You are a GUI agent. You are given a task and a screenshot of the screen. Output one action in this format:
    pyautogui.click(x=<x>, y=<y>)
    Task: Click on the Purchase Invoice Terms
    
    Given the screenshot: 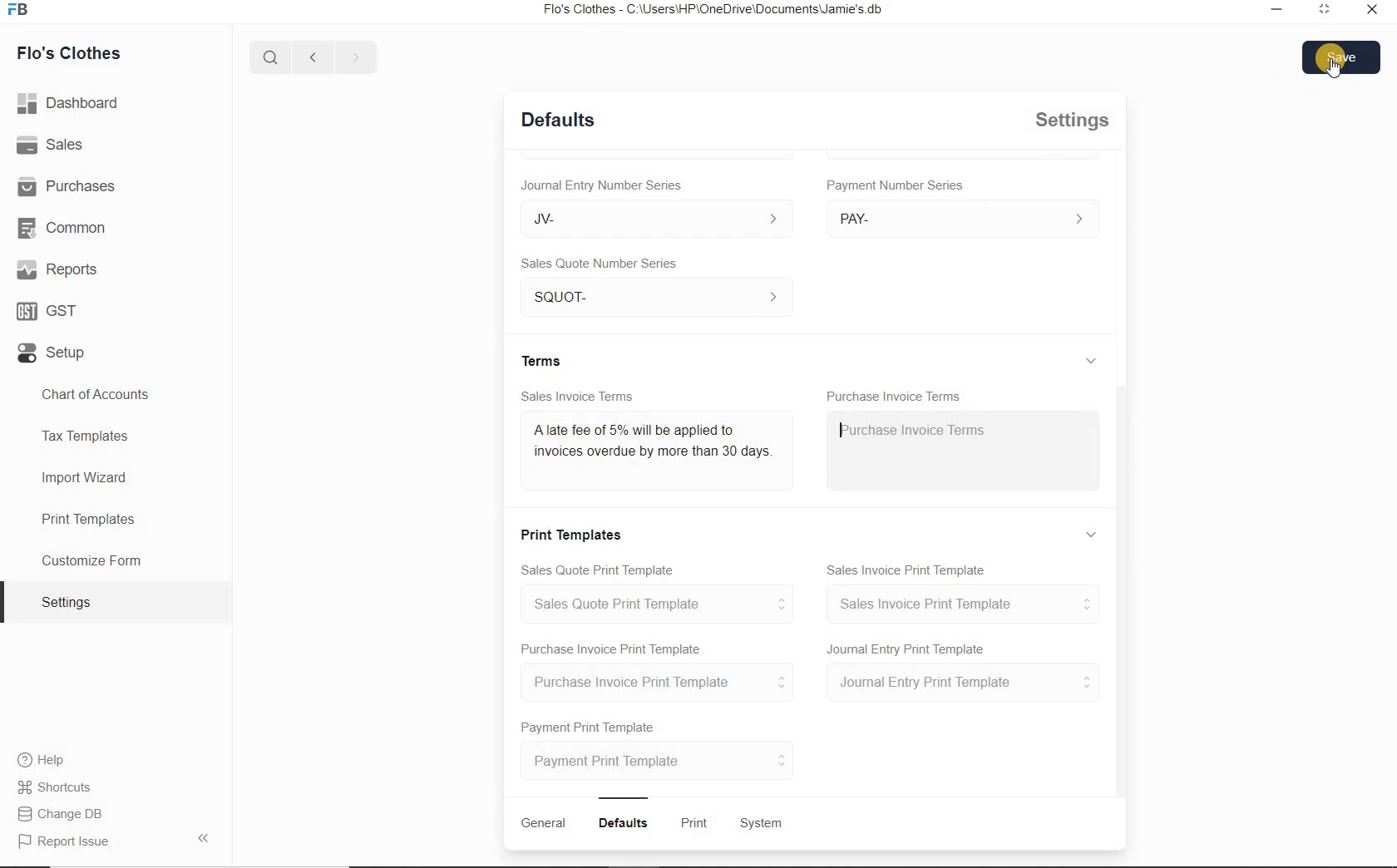 What is the action you would take?
    pyautogui.click(x=911, y=428)
    